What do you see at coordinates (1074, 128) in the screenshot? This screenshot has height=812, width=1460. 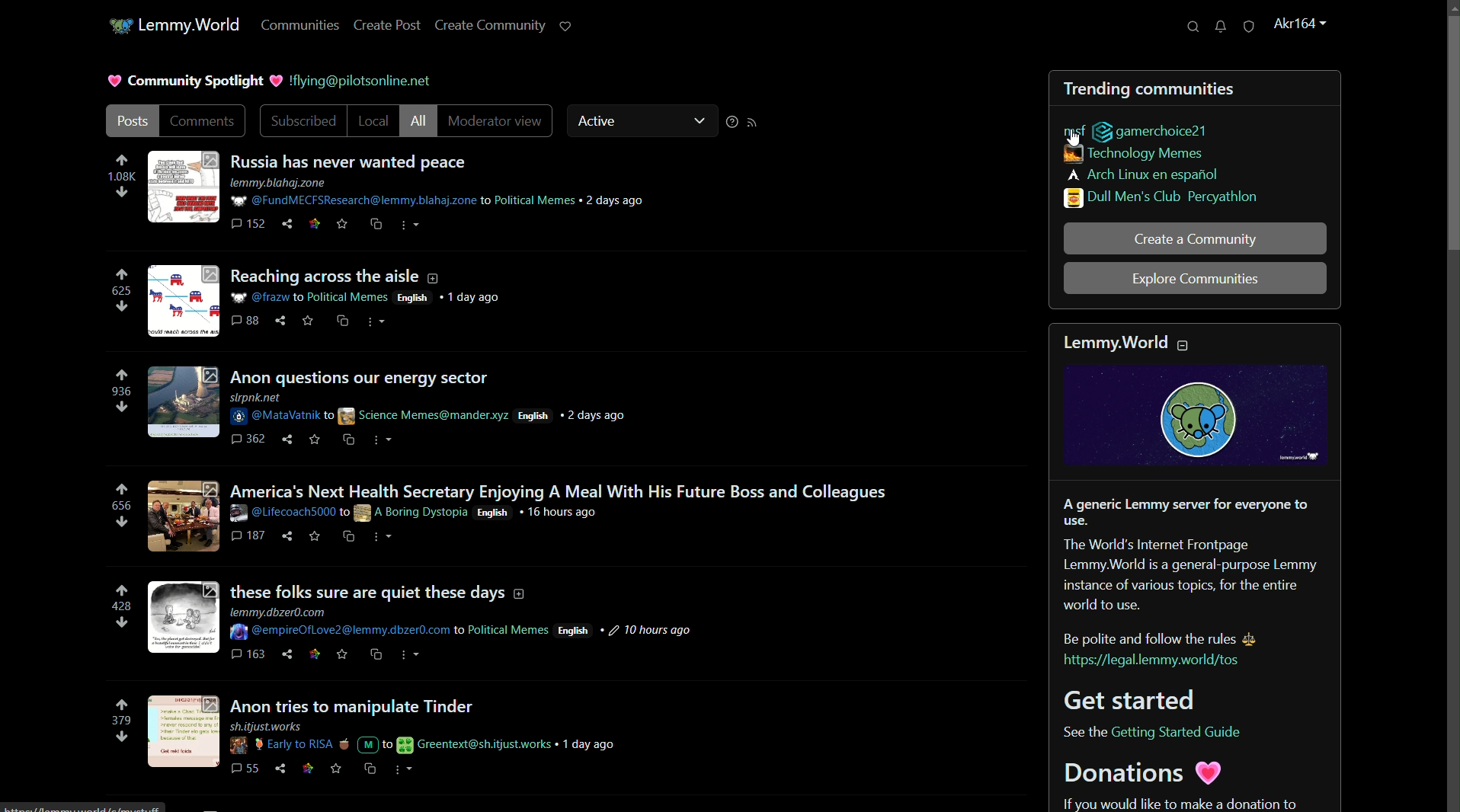 I see `msf` at bounding box center [1074, 128].